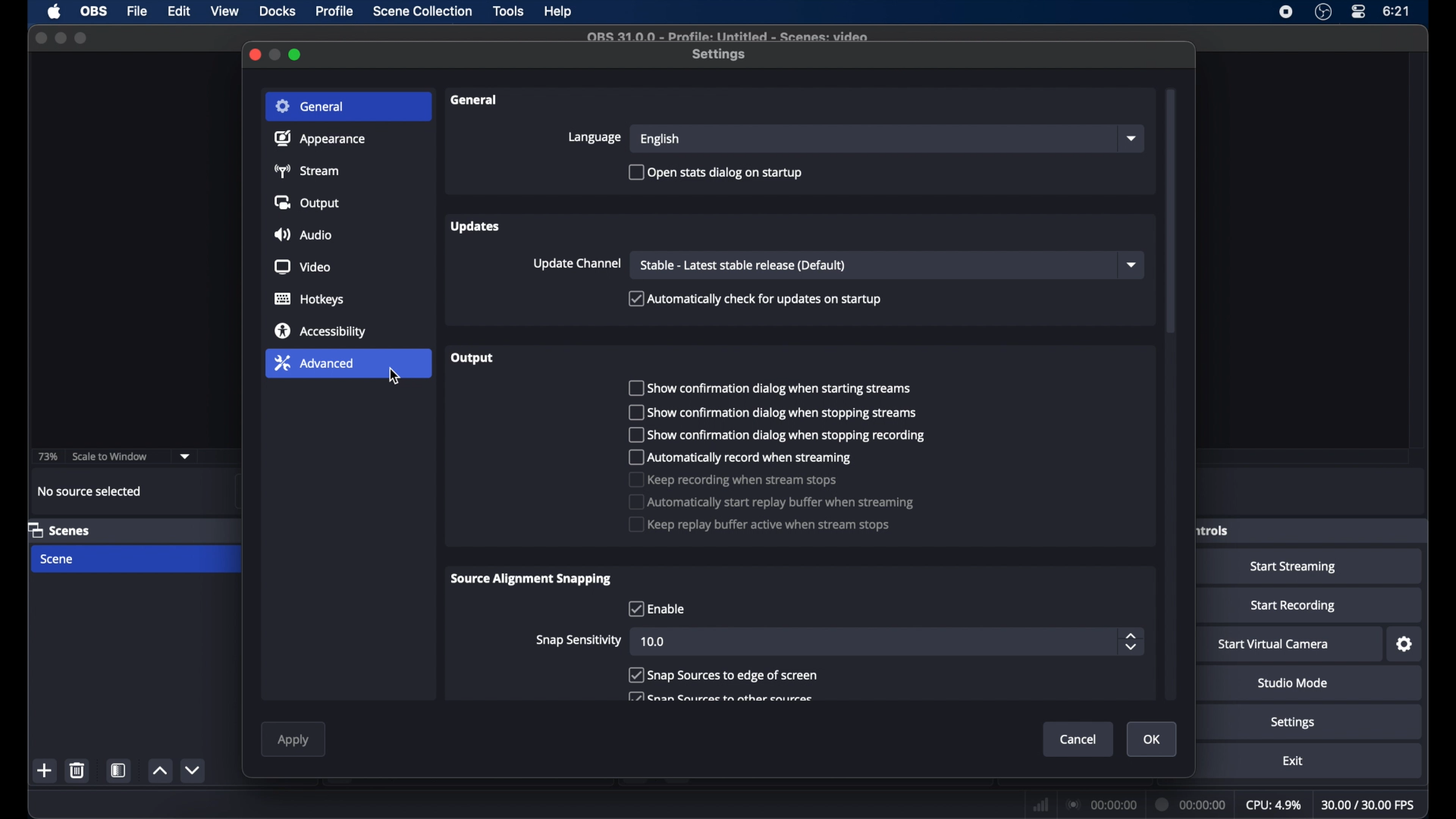 Image resolution: width=1456 pixels, height=819 pixels. Describe the element at coordinates (758, 297) in the screenshot. I see `Automatically check for updates on startup` at that location.